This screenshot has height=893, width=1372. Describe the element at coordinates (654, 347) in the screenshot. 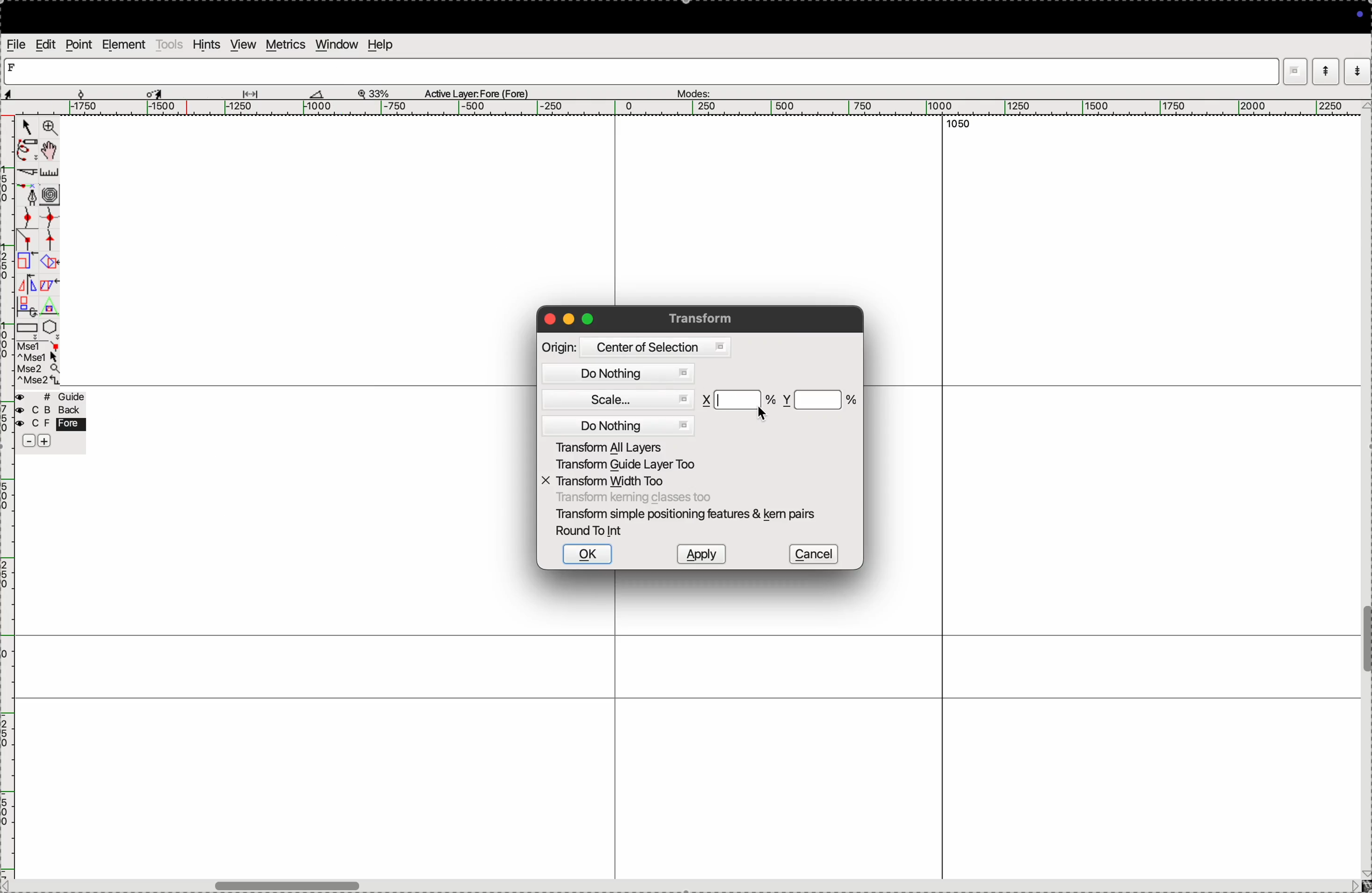

I see `centre of selsection` at that location.